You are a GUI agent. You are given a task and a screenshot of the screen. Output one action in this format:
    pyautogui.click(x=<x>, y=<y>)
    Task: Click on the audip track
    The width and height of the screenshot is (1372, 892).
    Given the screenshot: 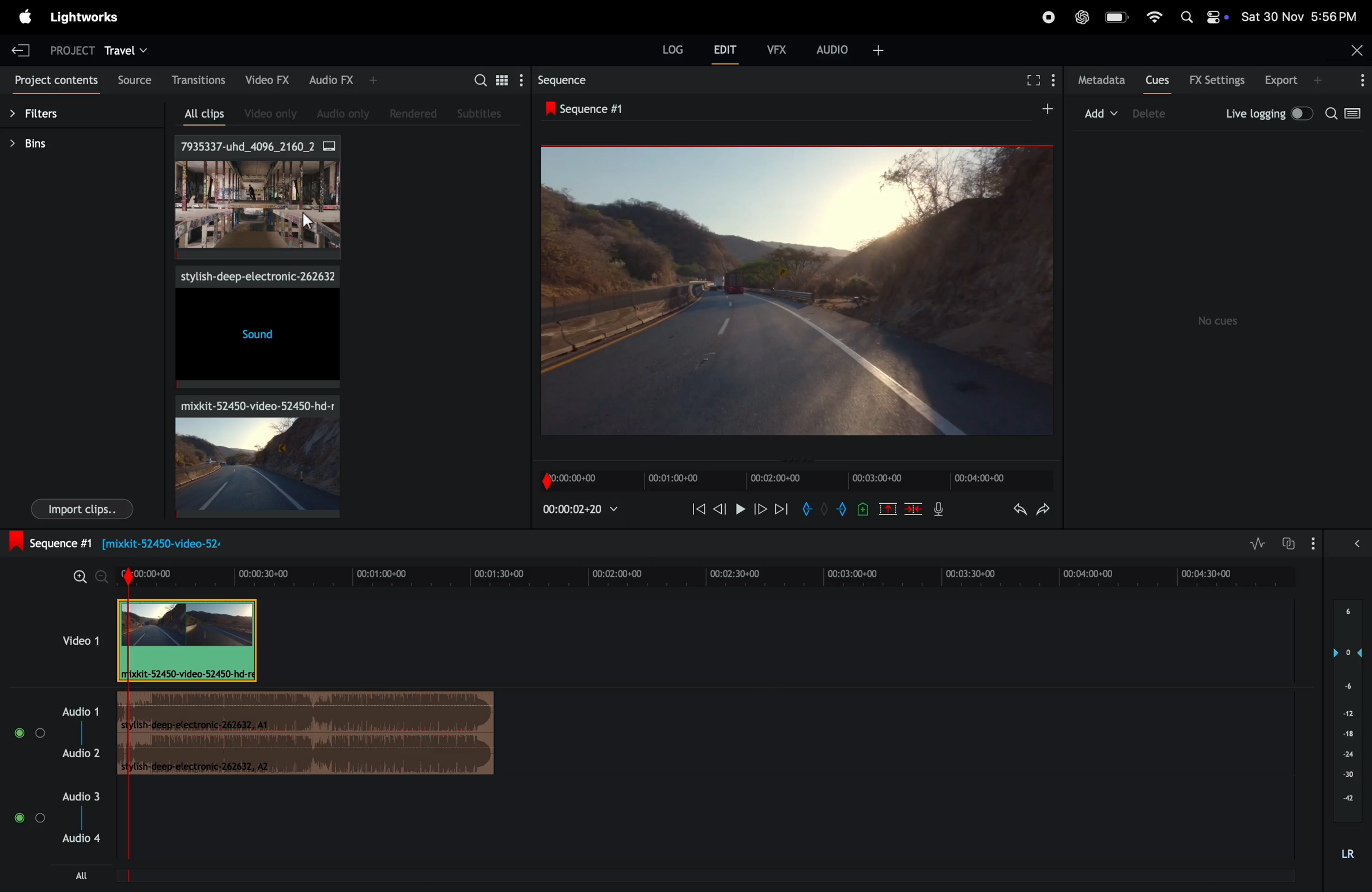 What is the action you would take?
    pyautogui.click(x=309, y=735)
    